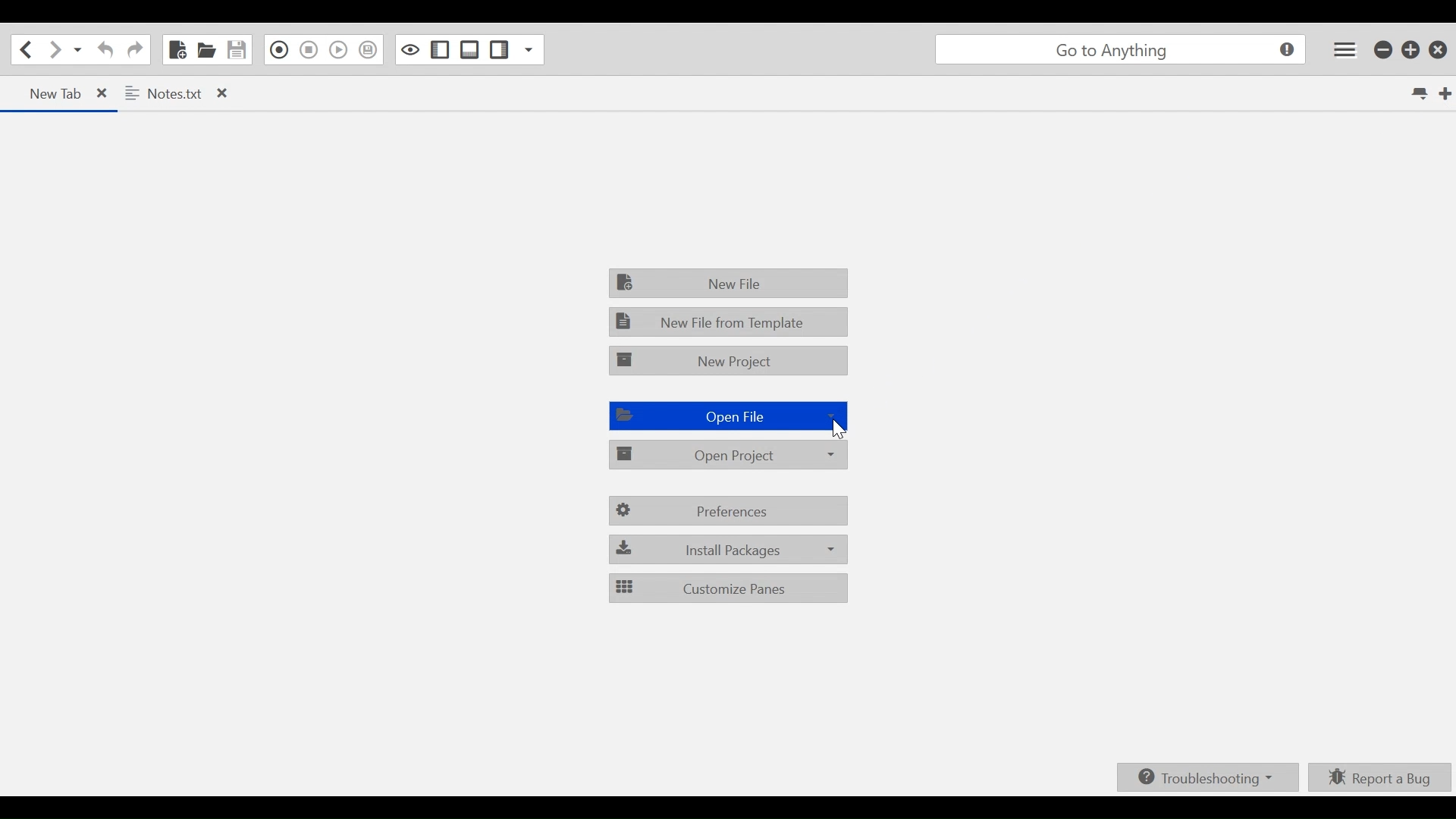  What do you see at coordinates (1346, 50) in the screenshot?
I see `Application menu` at bounding box center [1346, 50].